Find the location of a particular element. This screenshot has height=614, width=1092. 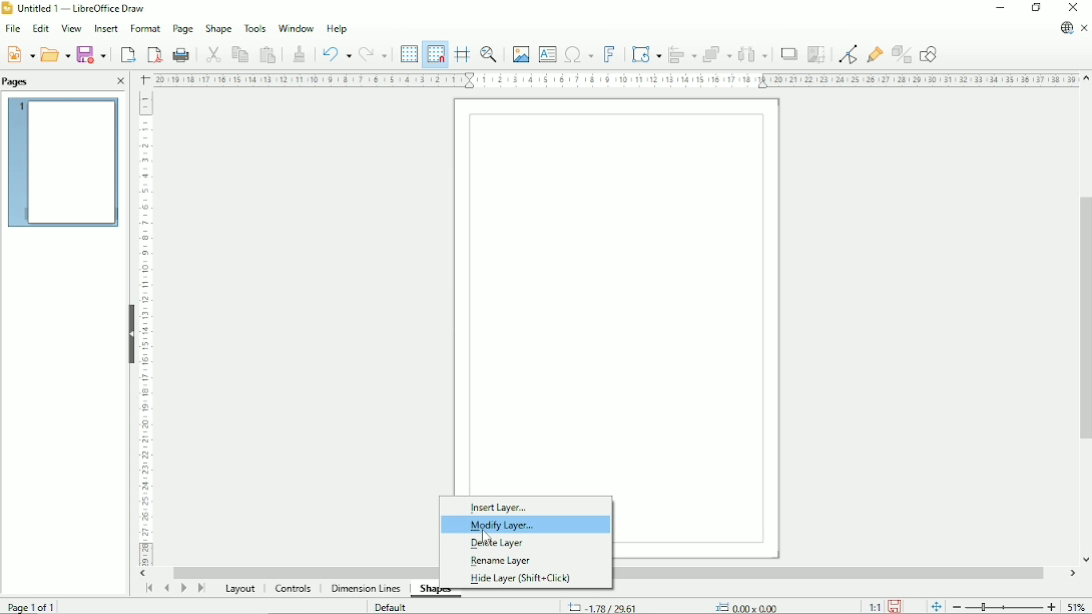

Insert layer is located at coordinates (498, 506).